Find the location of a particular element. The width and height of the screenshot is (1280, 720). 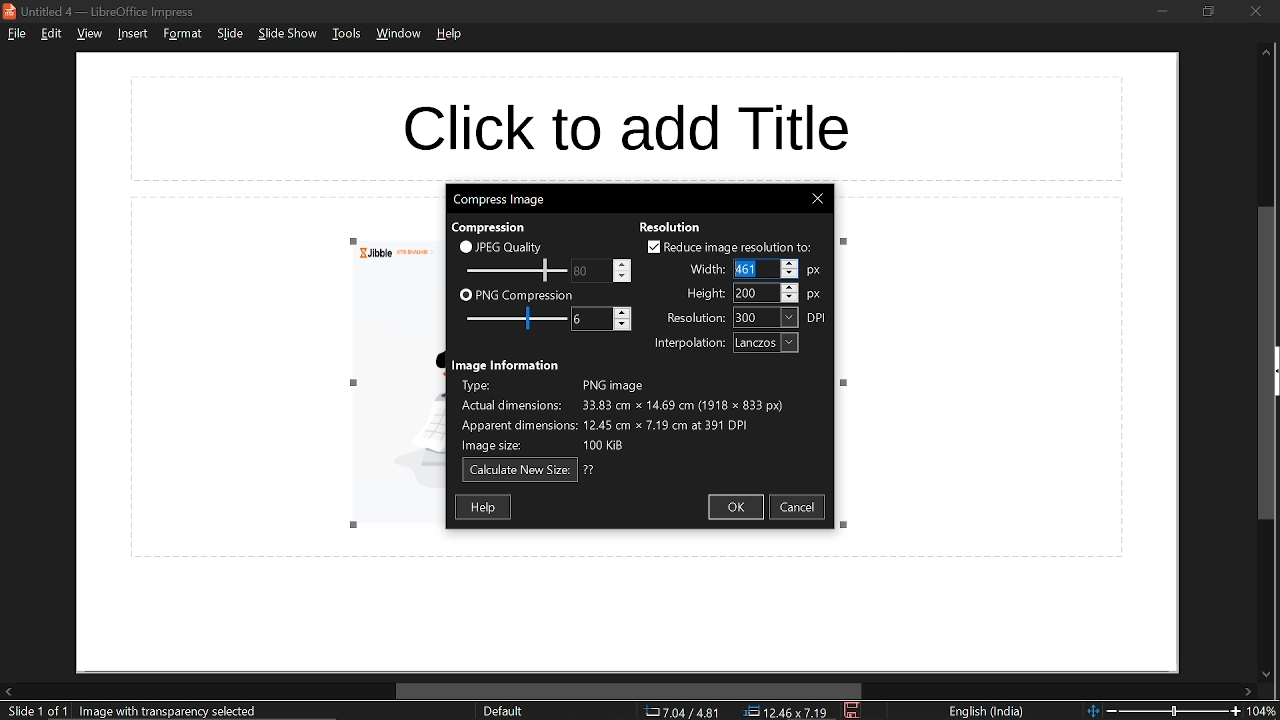

px is located at coordinates (818, 269).